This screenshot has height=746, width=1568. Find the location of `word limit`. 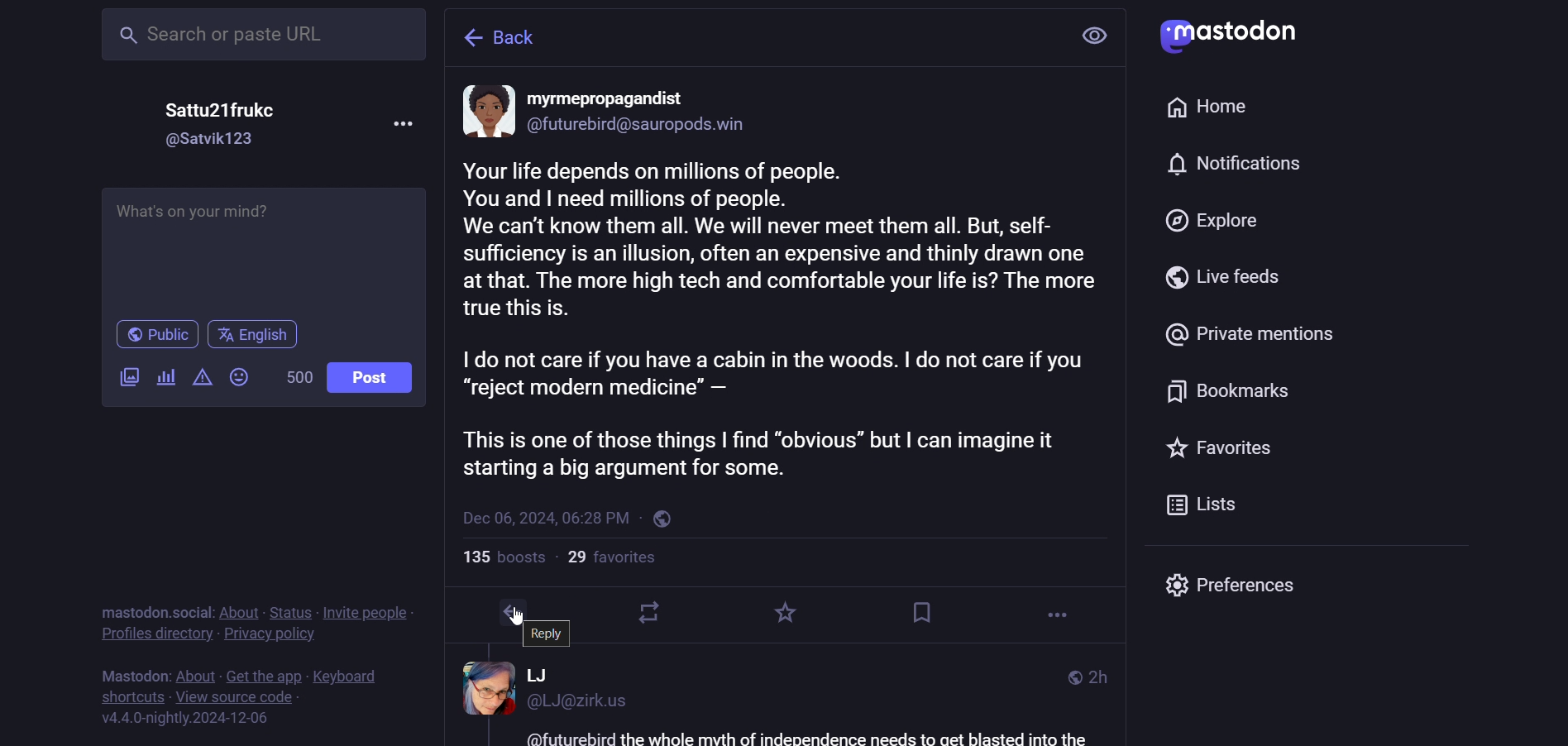

word limit is located at coordinates (298, 379).